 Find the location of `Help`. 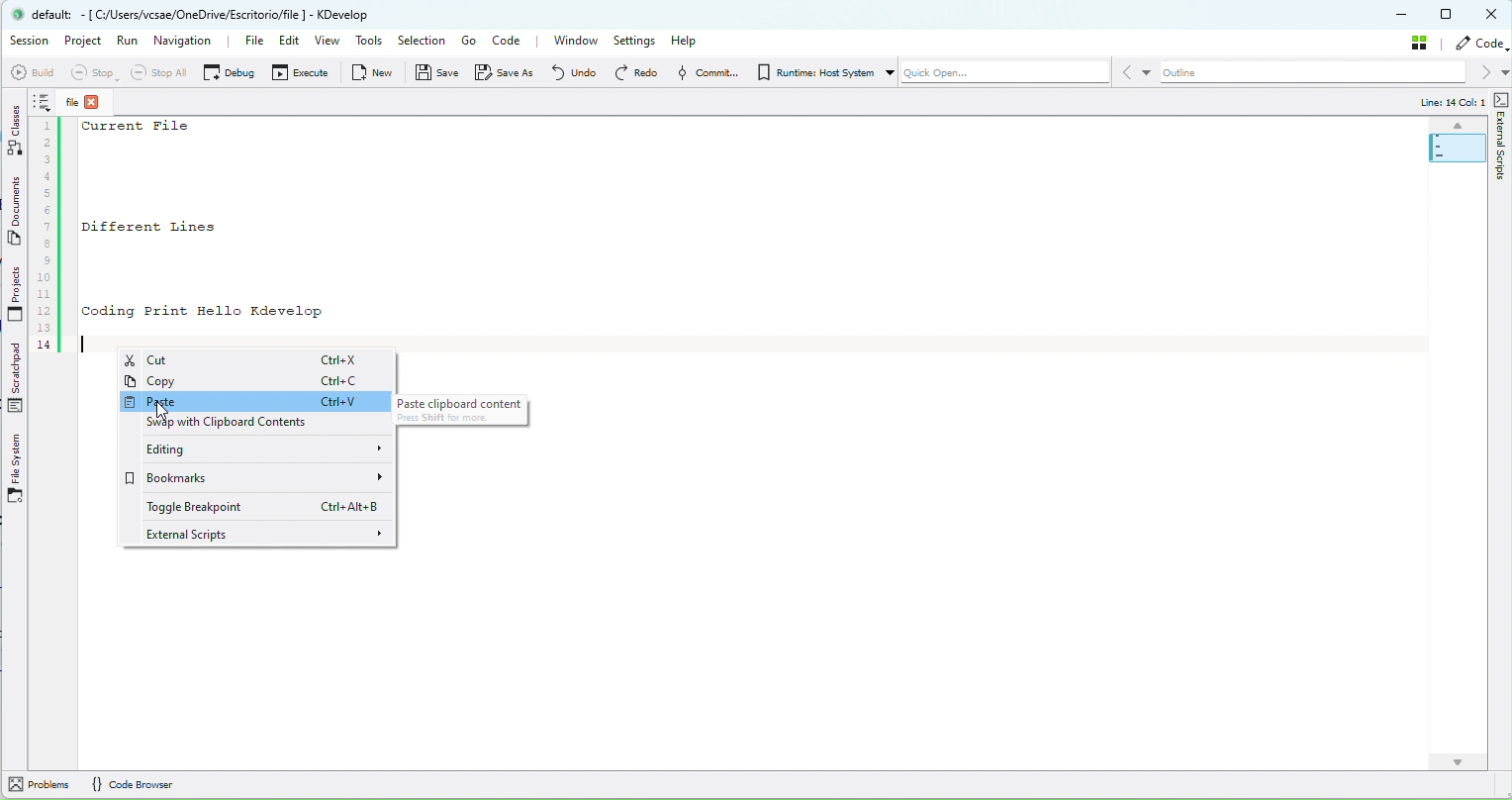

Help is located at coordinates (691, 40).